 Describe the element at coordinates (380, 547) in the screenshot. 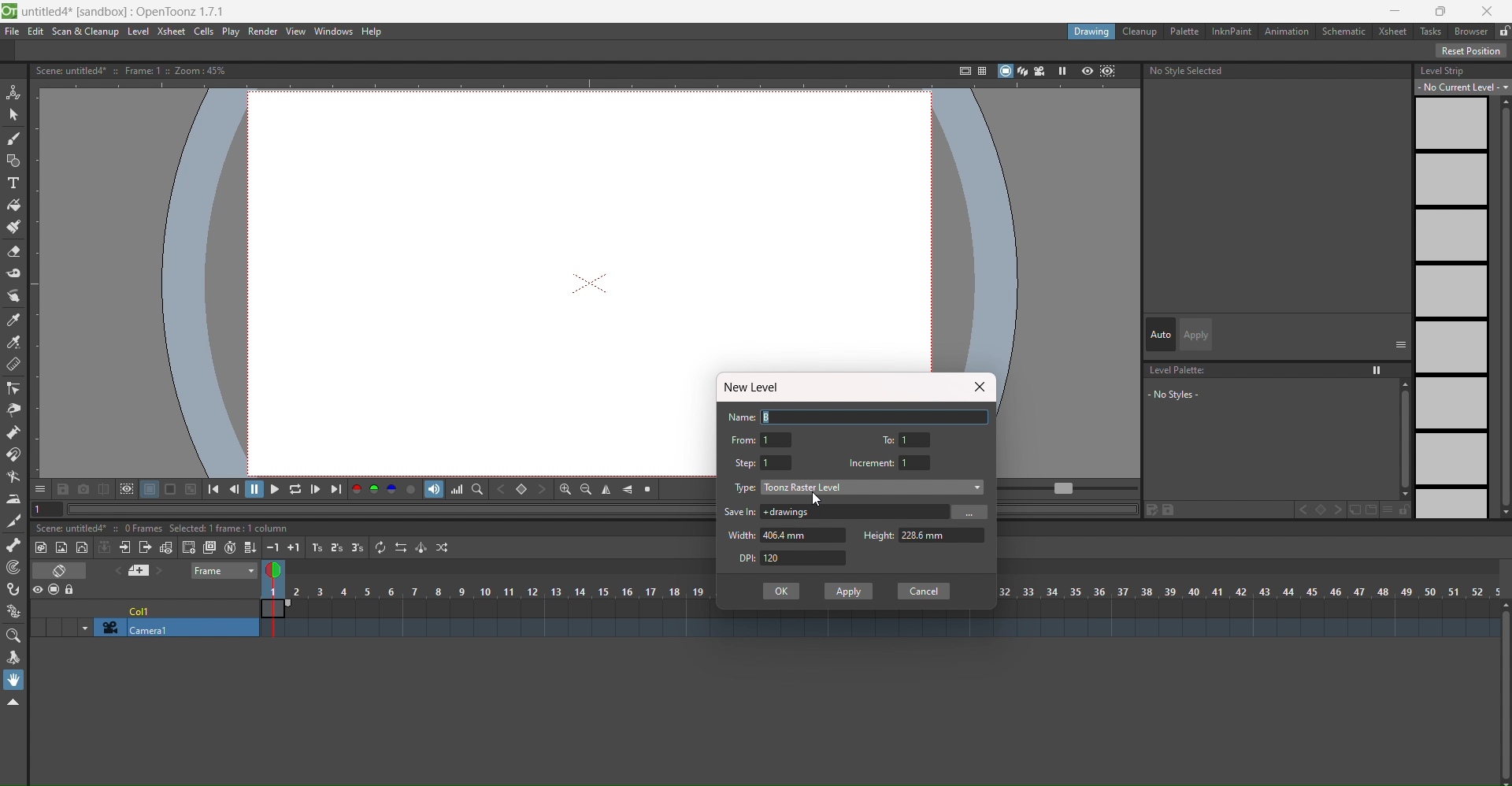

I see `repeat` at that location.